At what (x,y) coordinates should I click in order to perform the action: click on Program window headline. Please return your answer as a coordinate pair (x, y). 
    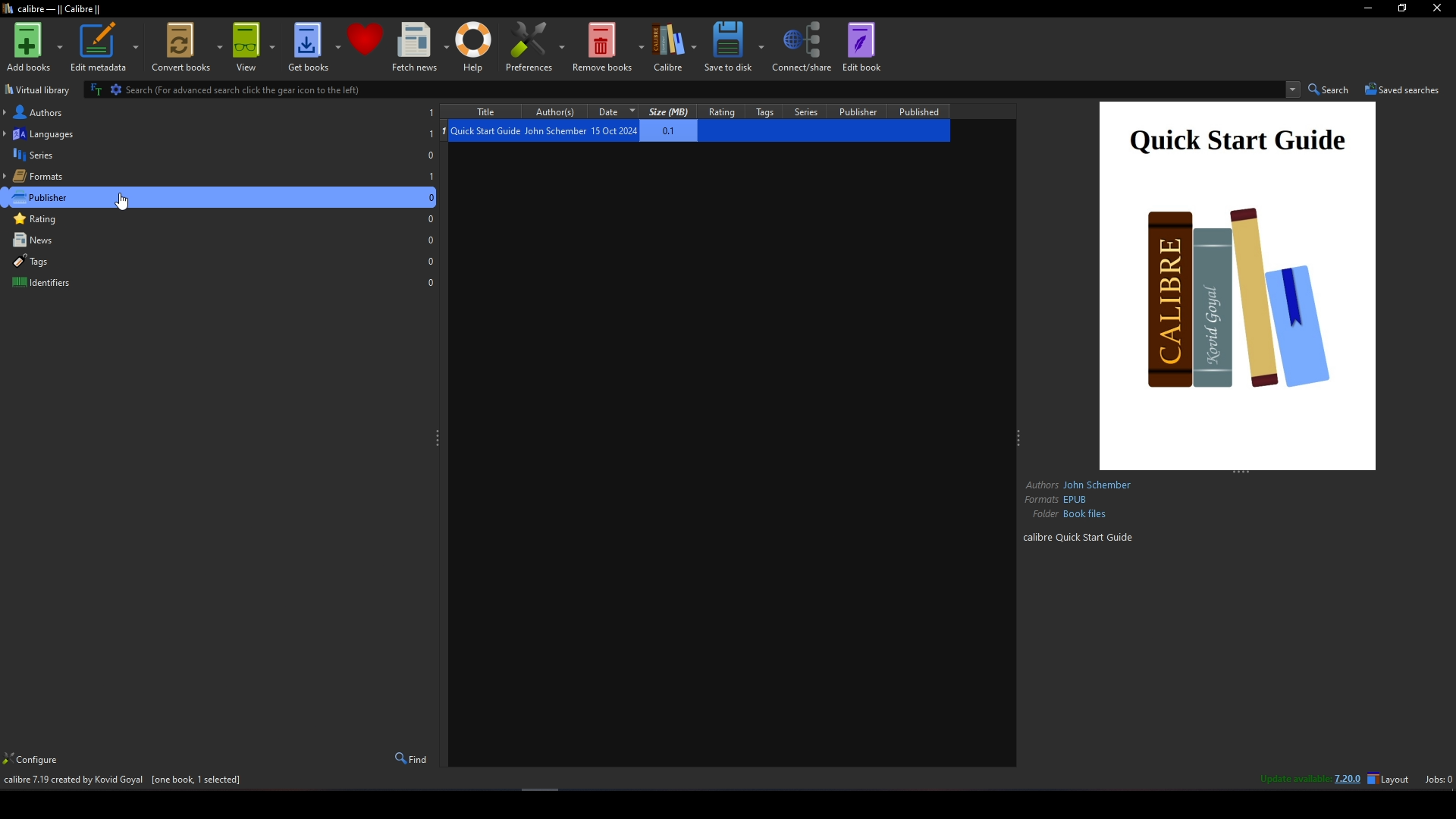
    Looking at the image, I should click on (52, 9).